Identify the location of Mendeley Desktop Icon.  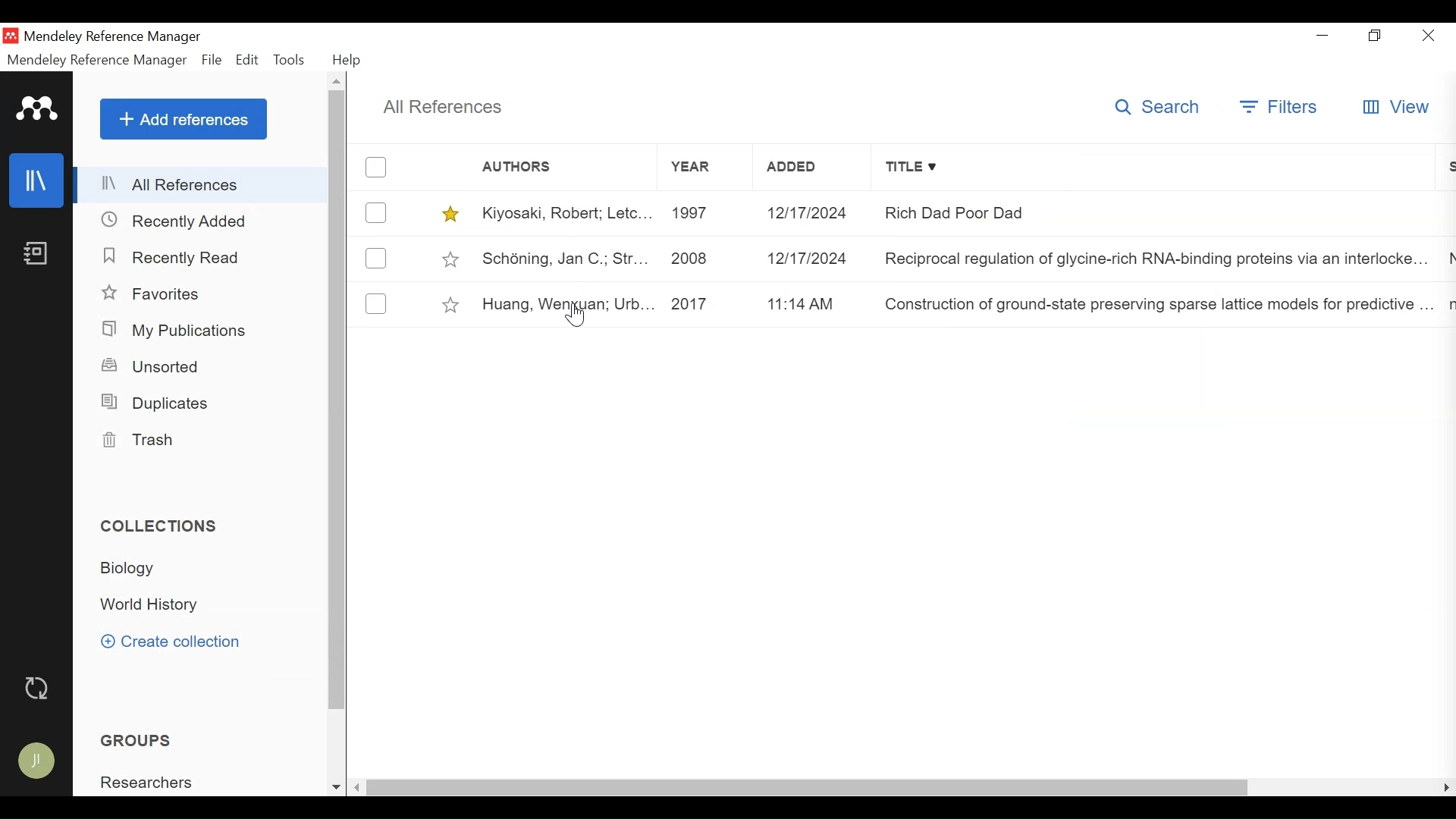
(11, 35).